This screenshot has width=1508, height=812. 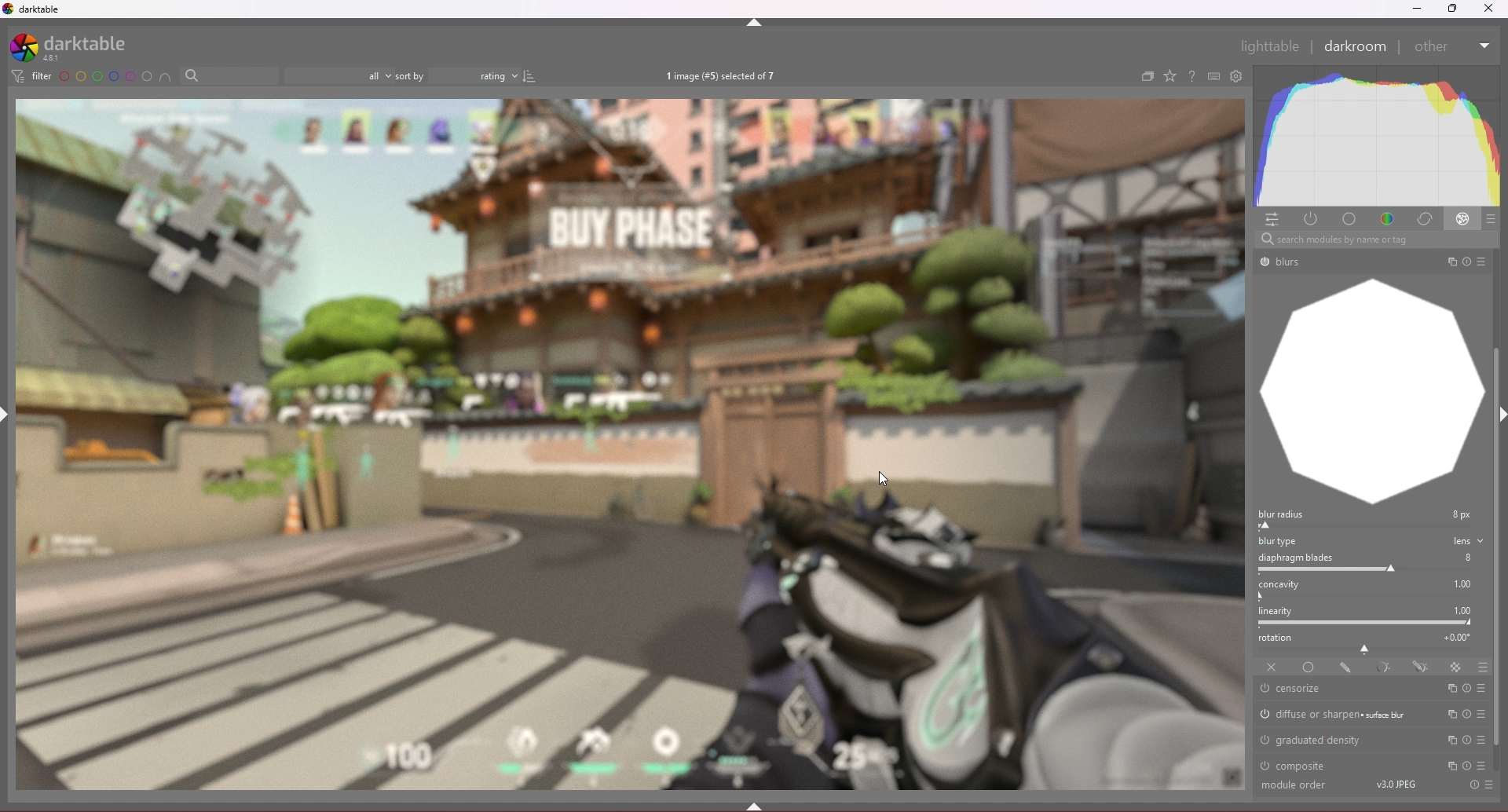 I want to click on color label, so click(x=105, y=75).